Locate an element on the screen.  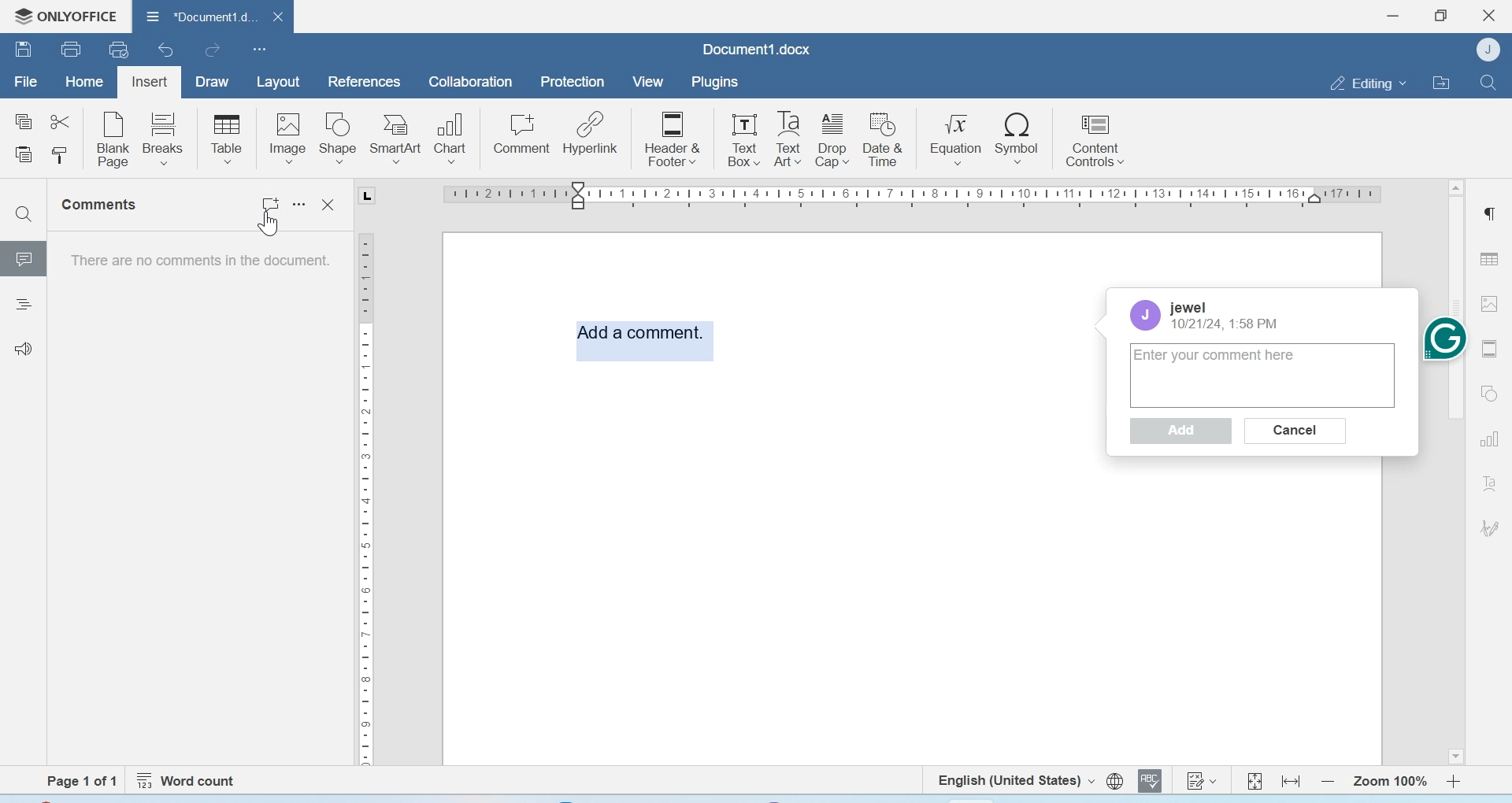
Minimize is located at coordinates (1395, 16).